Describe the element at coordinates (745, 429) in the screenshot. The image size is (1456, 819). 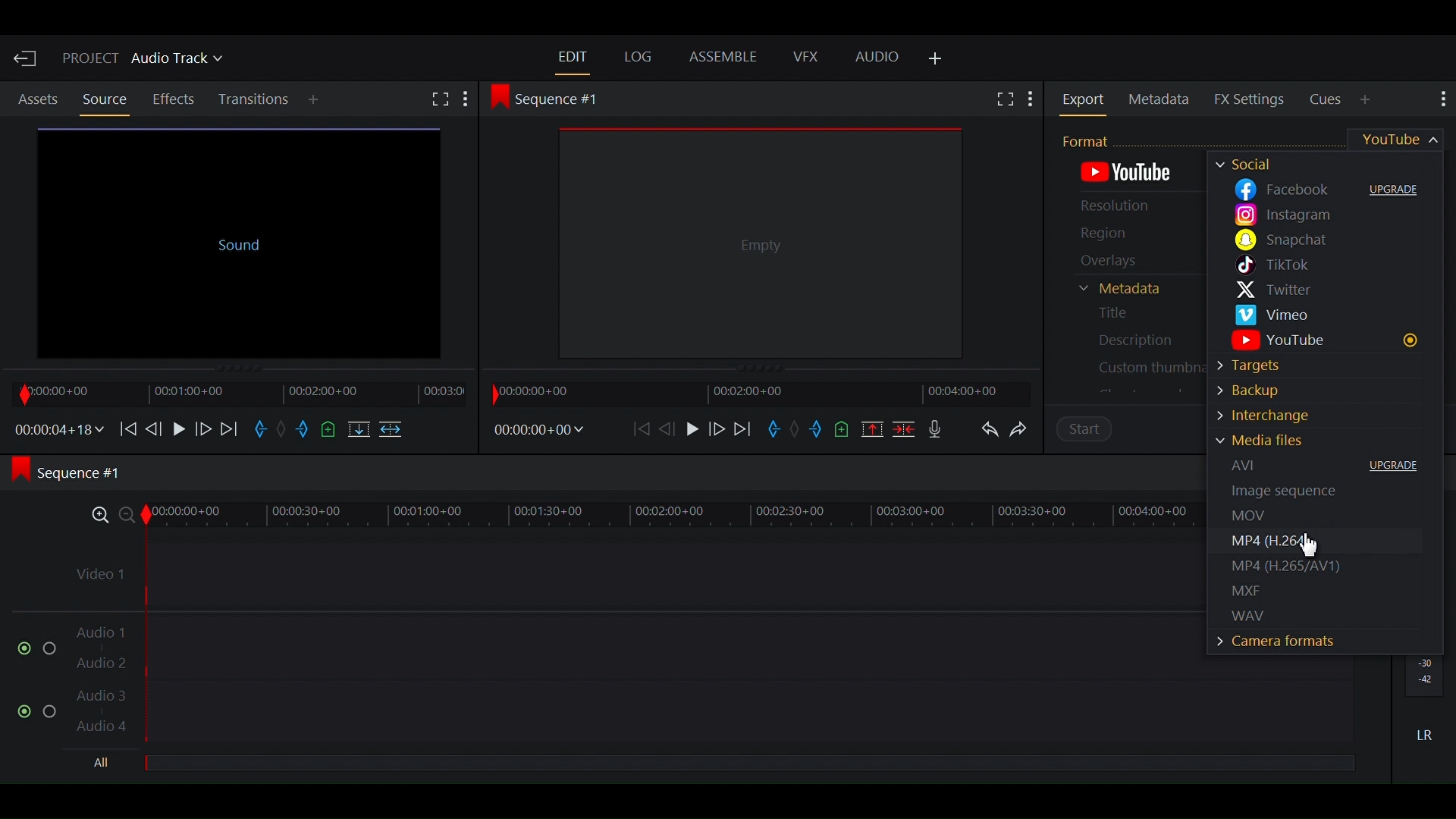
I see `Move forward` at that location.